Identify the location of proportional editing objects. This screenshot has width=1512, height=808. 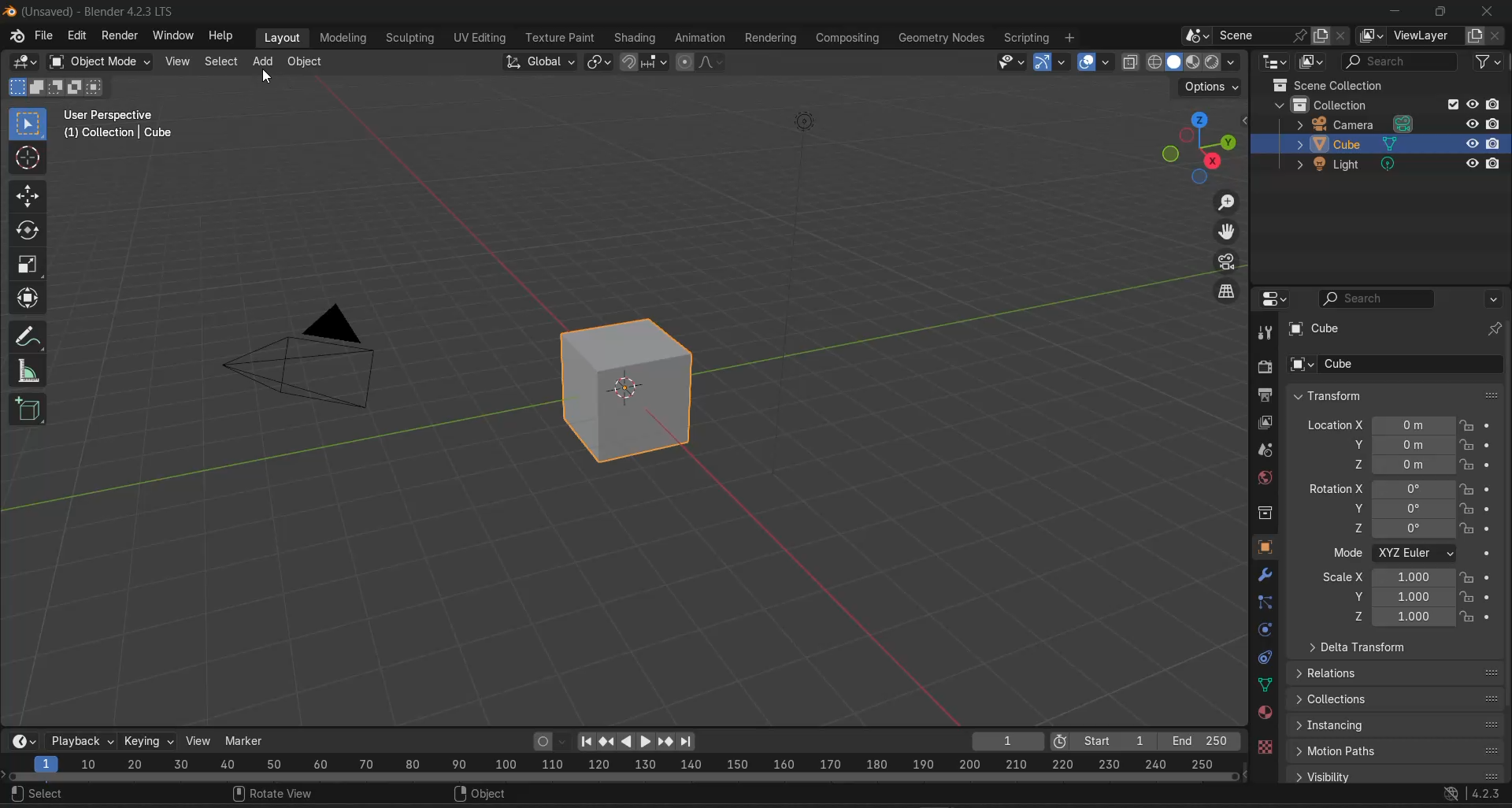
(686, 63).